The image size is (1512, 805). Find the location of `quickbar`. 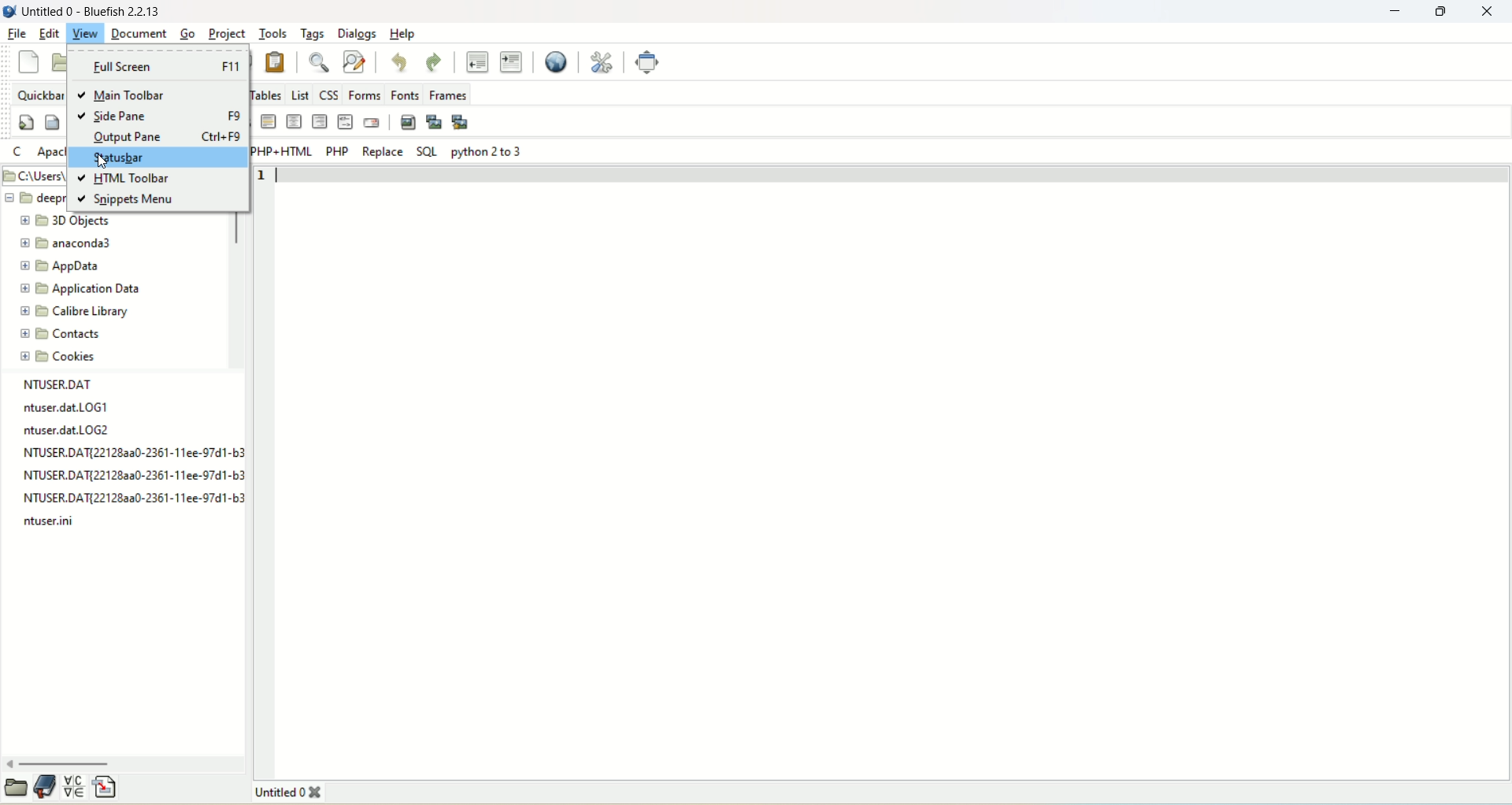

quickbar is located at coordinates (41, 95).